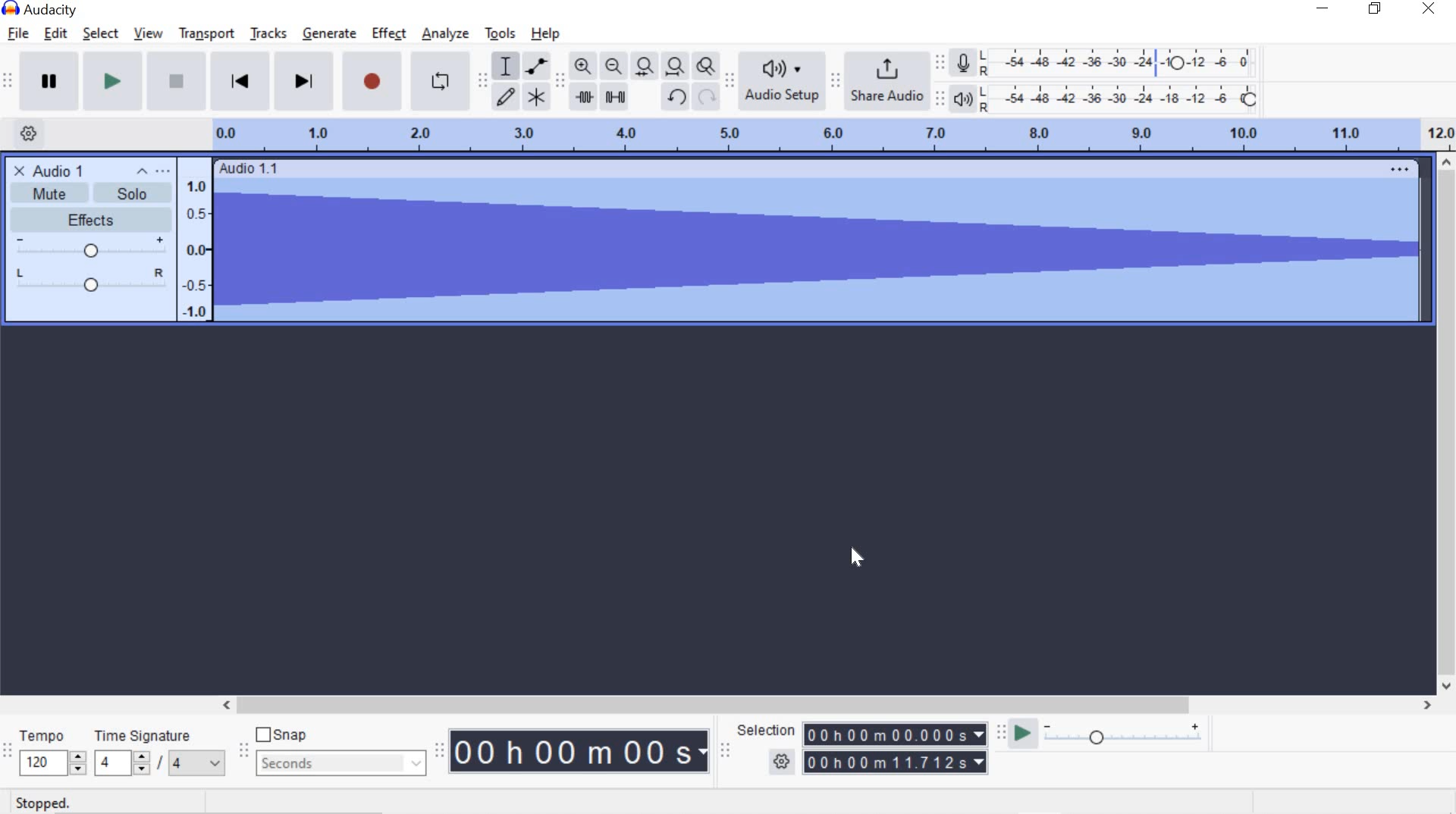  Describe the element at coordinates (673, 66) in the screenshot. I see `Fit project to width` at that location.